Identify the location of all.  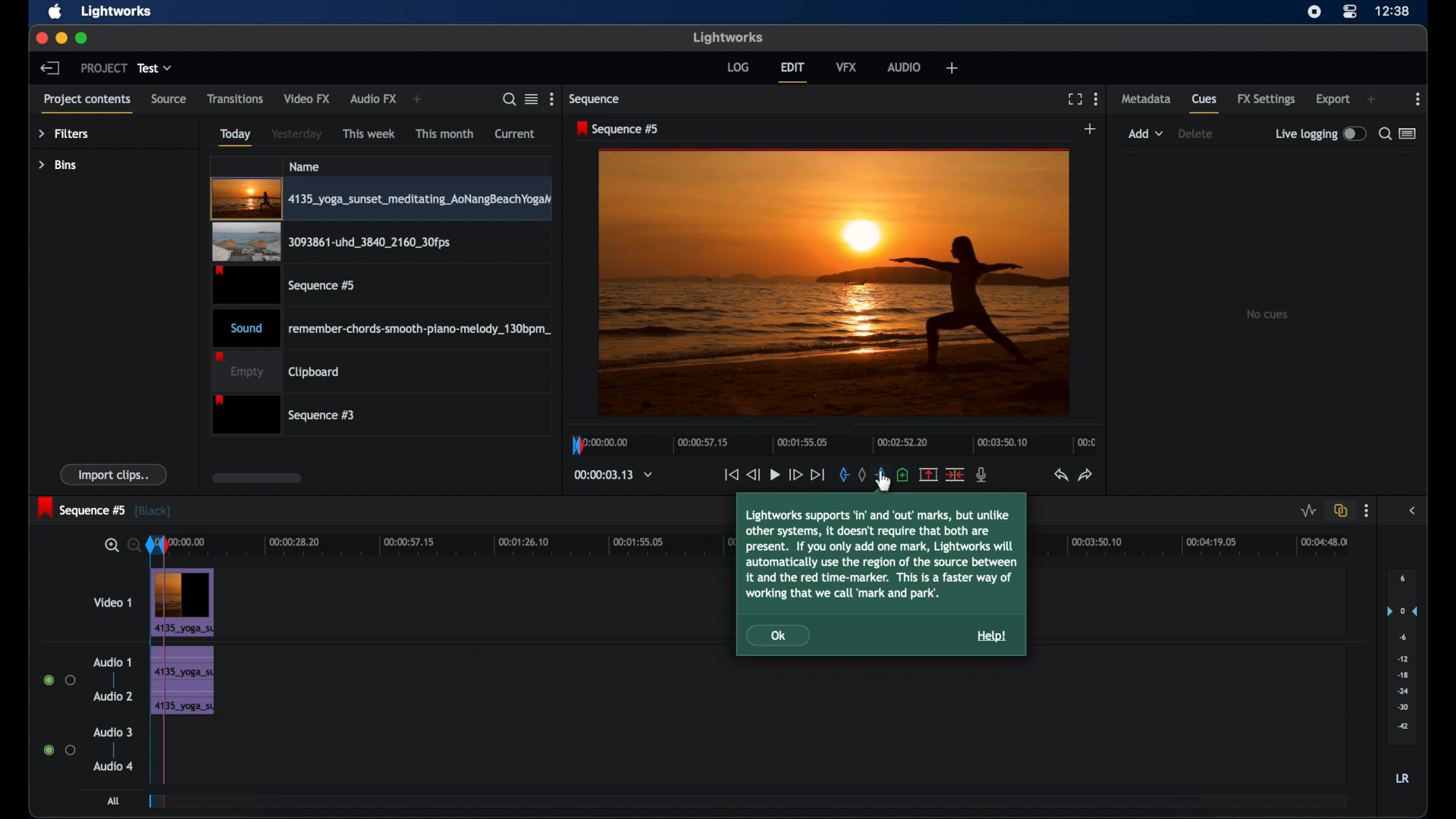
(115, 799).